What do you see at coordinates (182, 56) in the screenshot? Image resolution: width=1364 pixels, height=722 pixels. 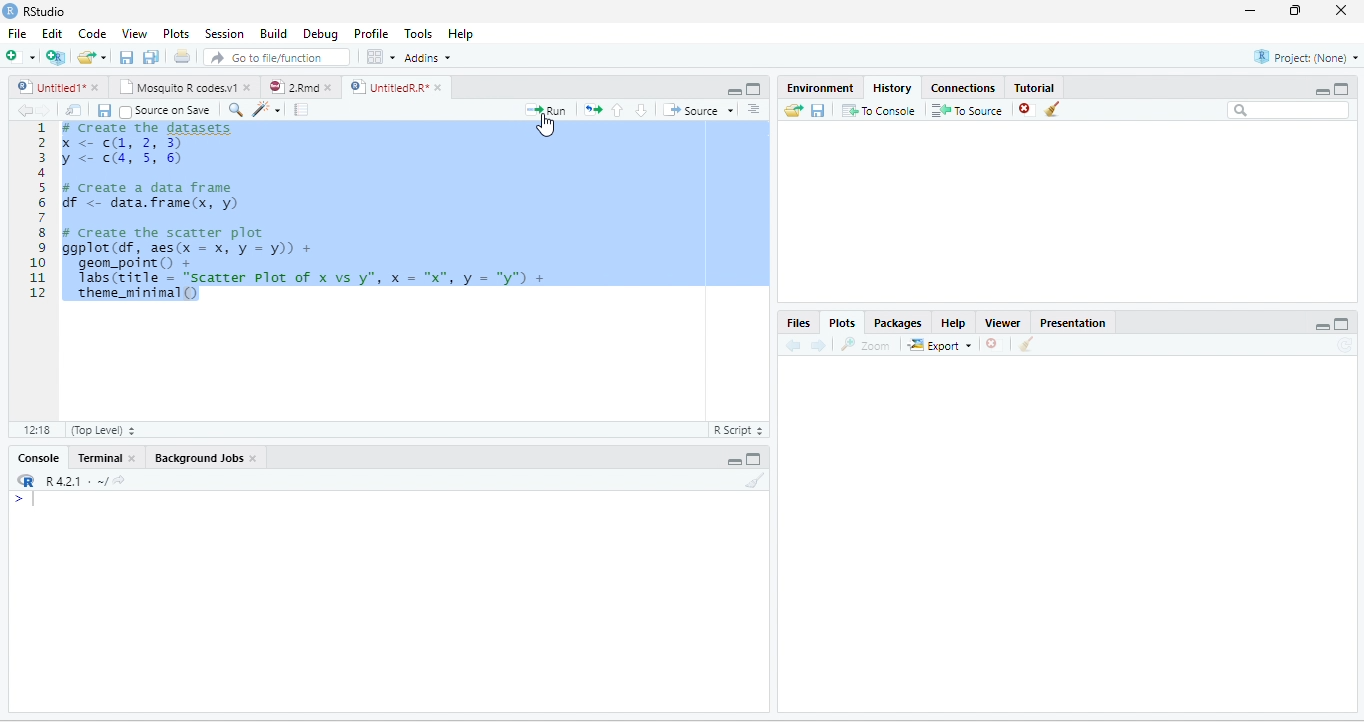 I see `Print the current file` at bounding box center [182, 56].